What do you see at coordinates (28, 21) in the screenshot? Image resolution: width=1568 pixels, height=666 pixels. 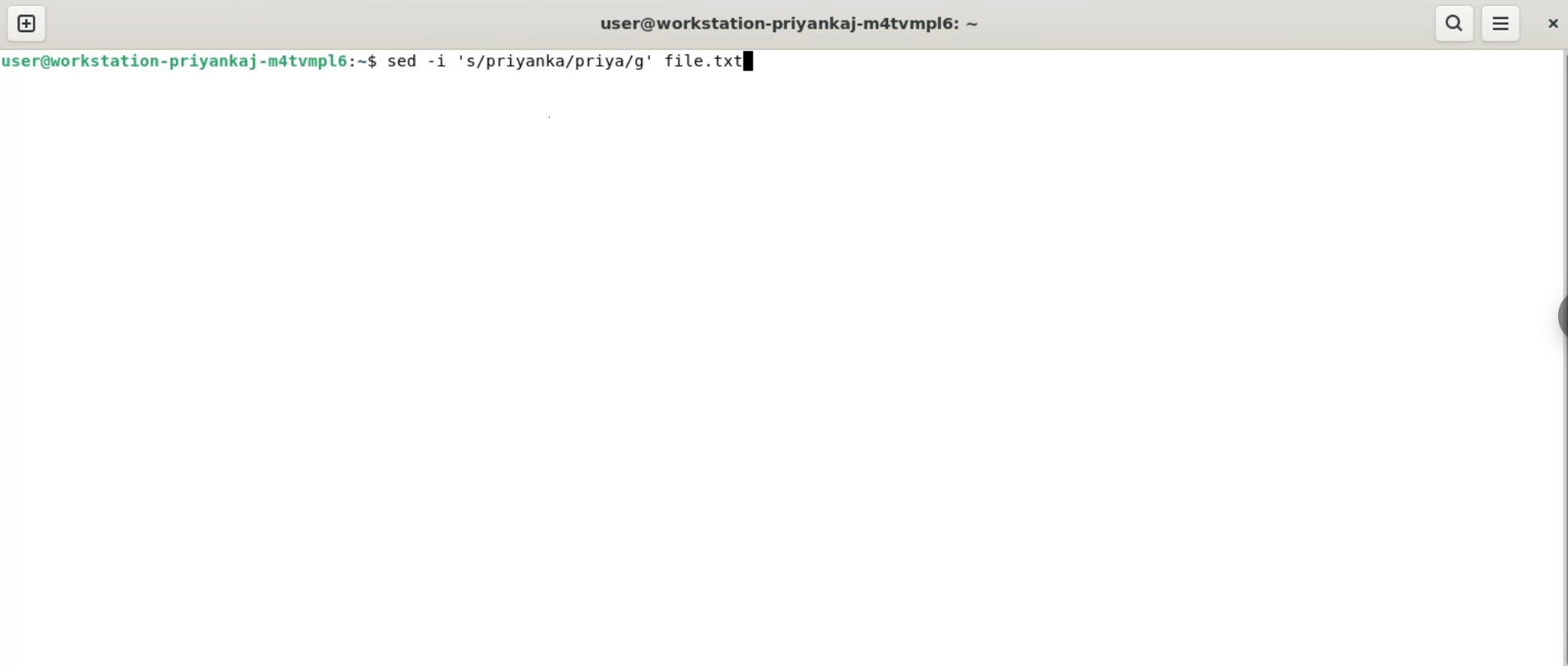 I see `new tab` at bounding box center [28, 21].